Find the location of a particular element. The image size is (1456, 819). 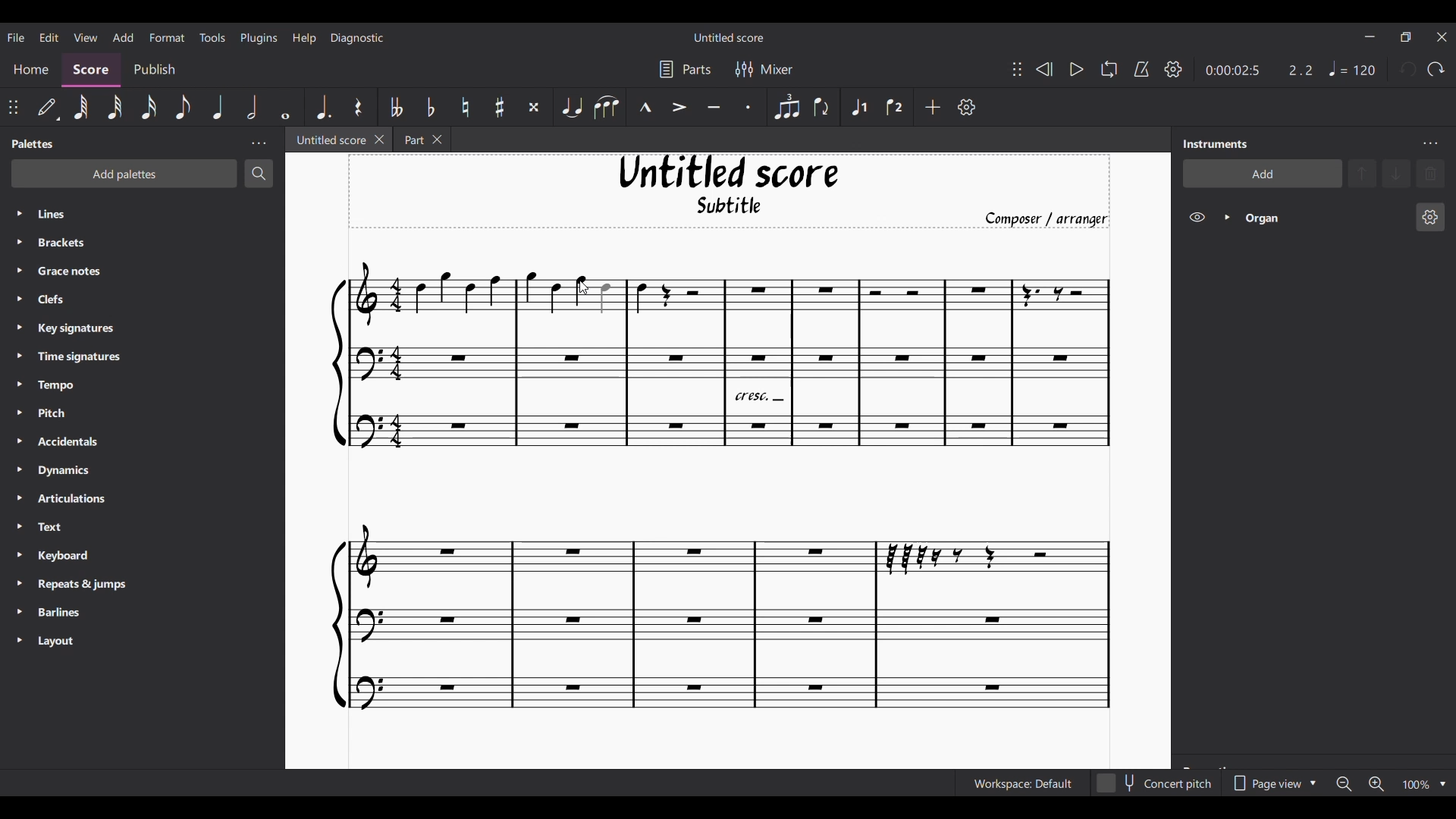

Default is located at coordinates (49, 108).